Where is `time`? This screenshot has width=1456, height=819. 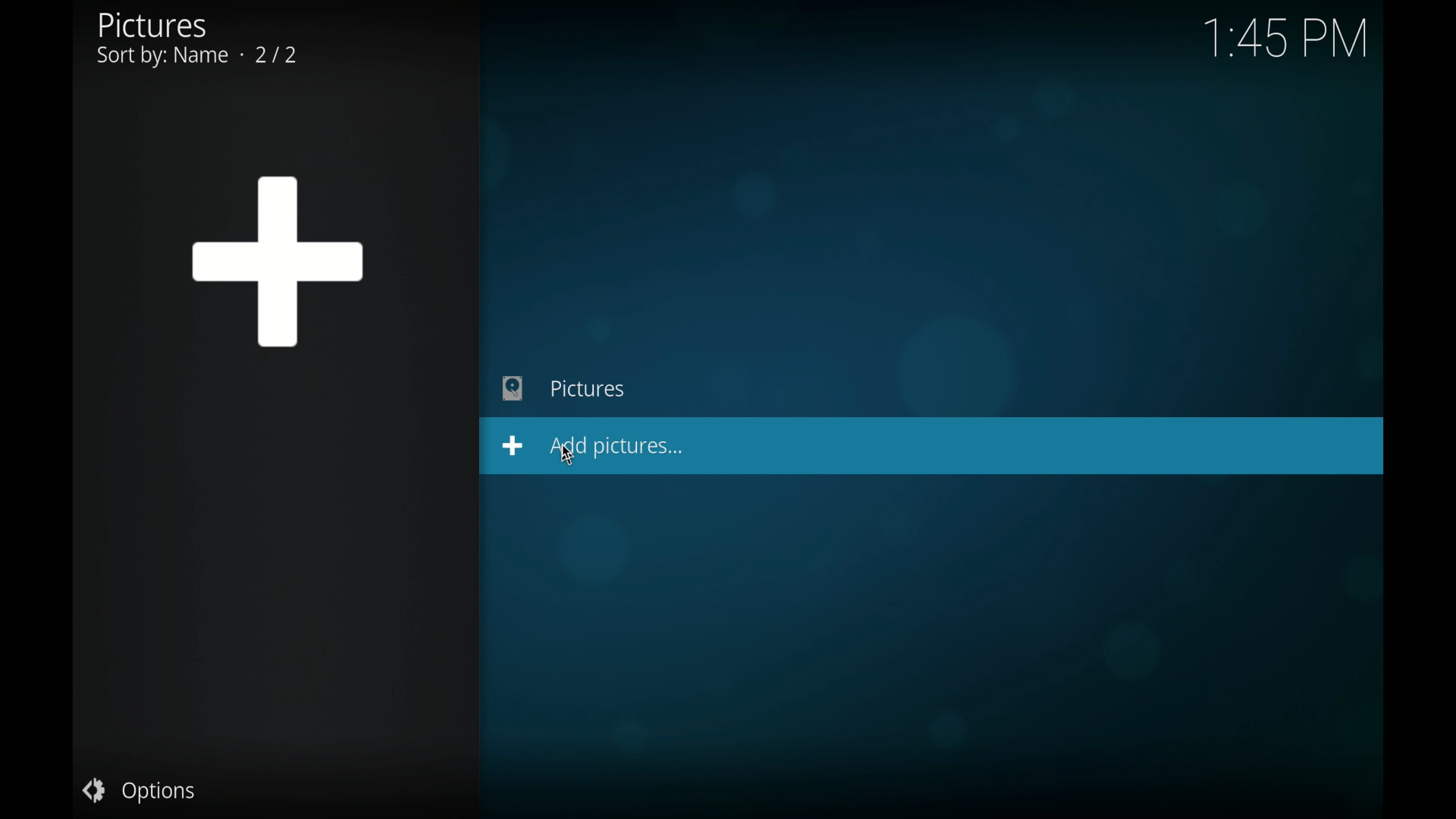 time is located at coordinates (1285, 39).